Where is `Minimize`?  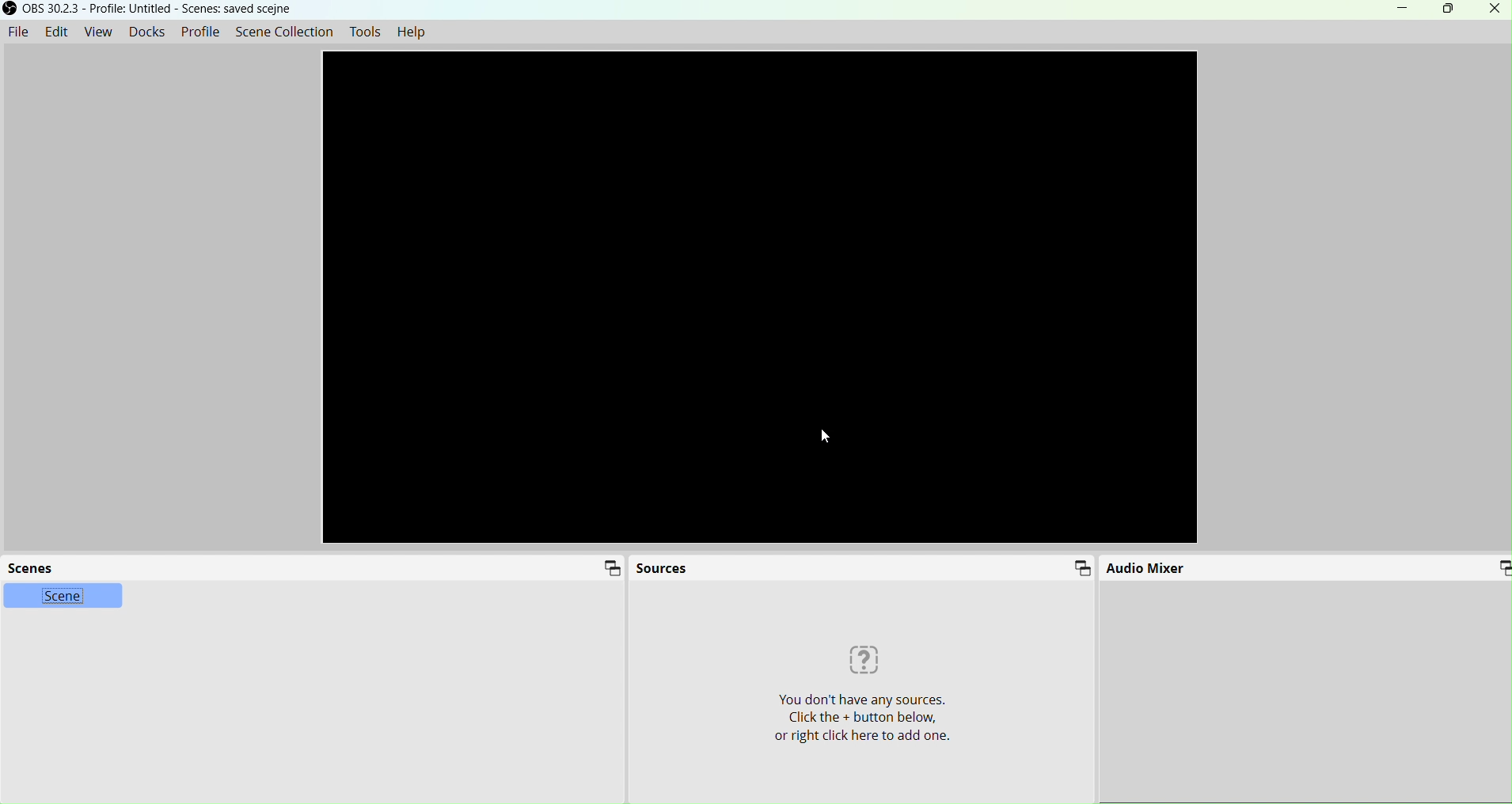
Minimize is located at coordinates (1395, 9).